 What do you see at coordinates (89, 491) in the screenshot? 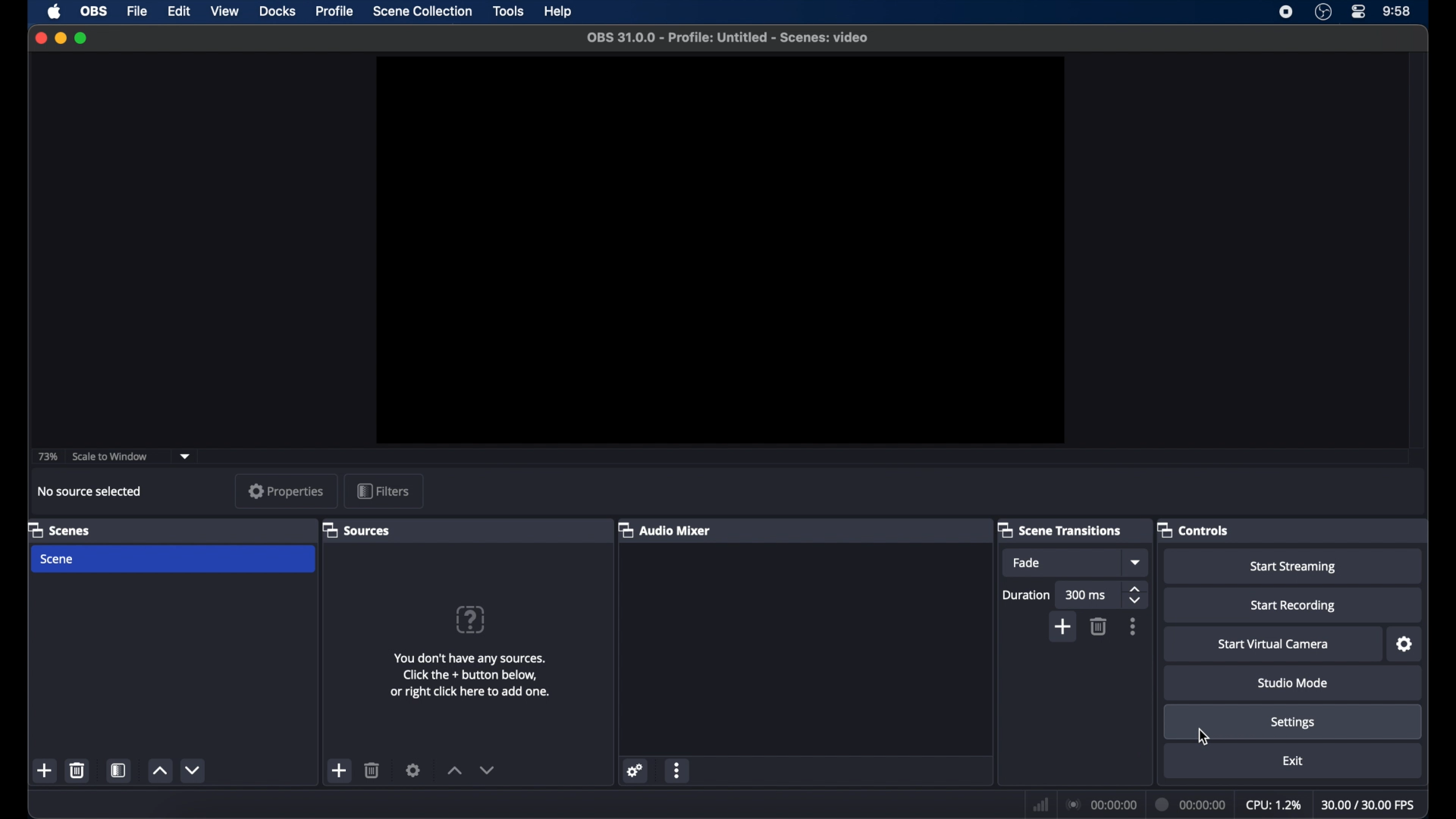
I see `no source selected ` at bounding box center [89, 491].